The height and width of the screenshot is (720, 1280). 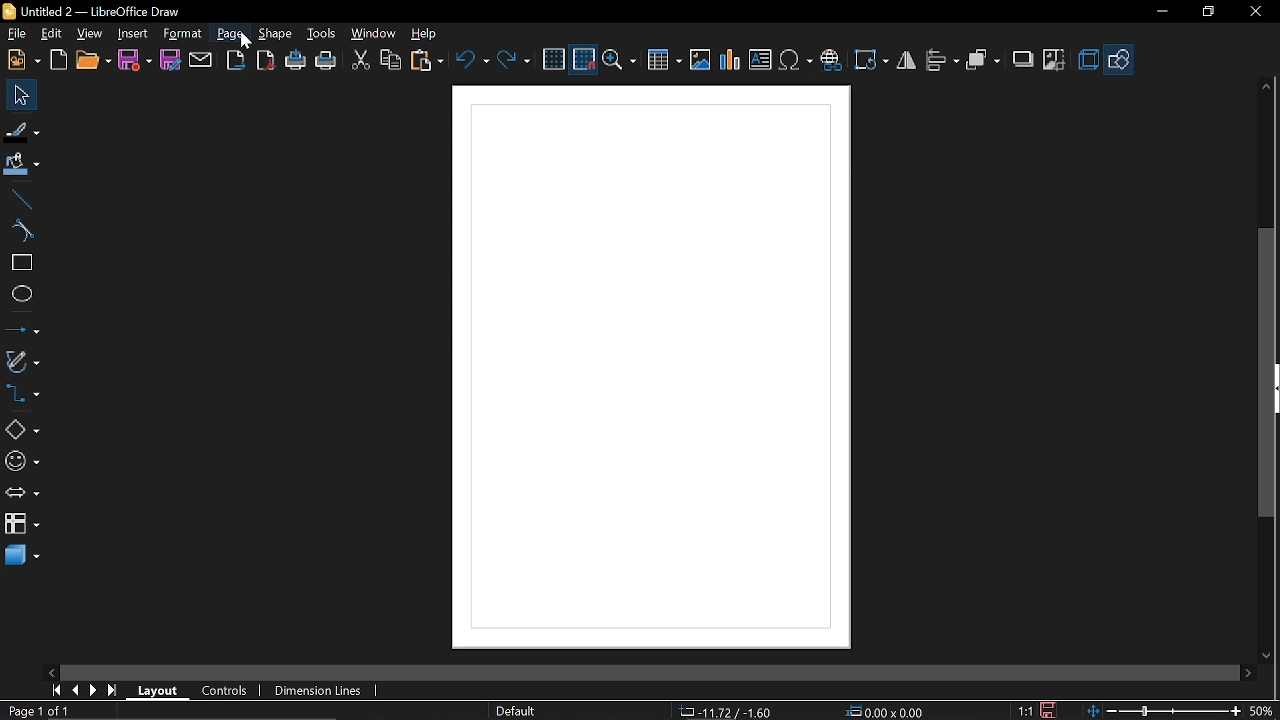 What do you see at coordinates (22, 428) in the screenshot?
I see `Shapes` at bounding box center [22, 428].